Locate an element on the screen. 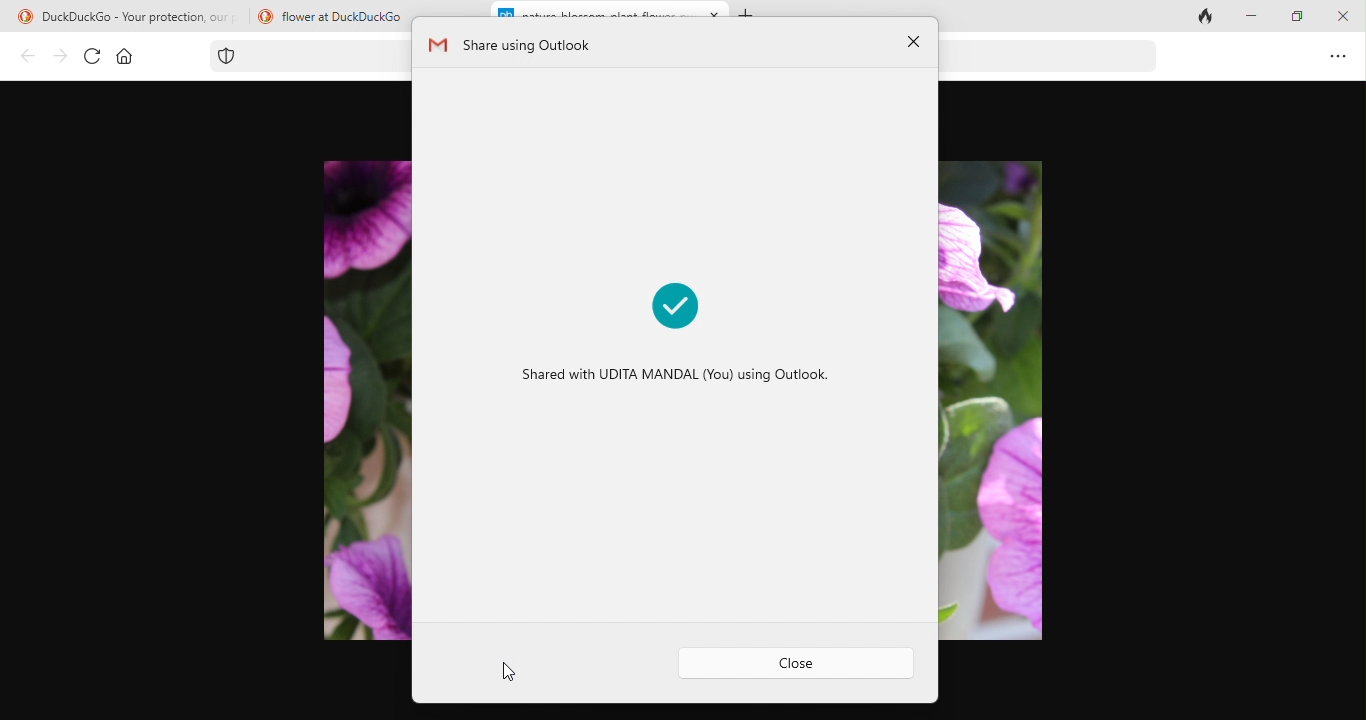  minimize is located at coordinates (1251, 17).